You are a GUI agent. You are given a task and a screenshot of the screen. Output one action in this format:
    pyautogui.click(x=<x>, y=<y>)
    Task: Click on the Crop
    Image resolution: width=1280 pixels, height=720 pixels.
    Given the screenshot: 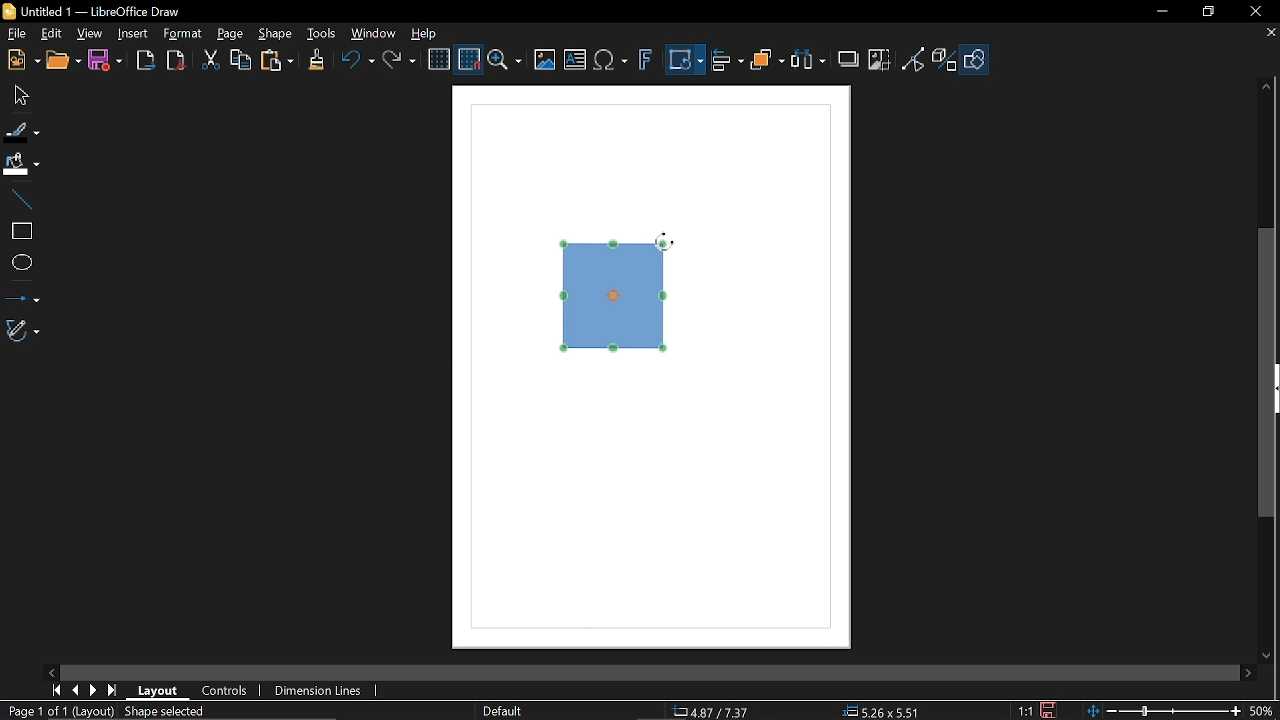 What is the action you would take?
    pyautogui.click(x=879, y=60)
    